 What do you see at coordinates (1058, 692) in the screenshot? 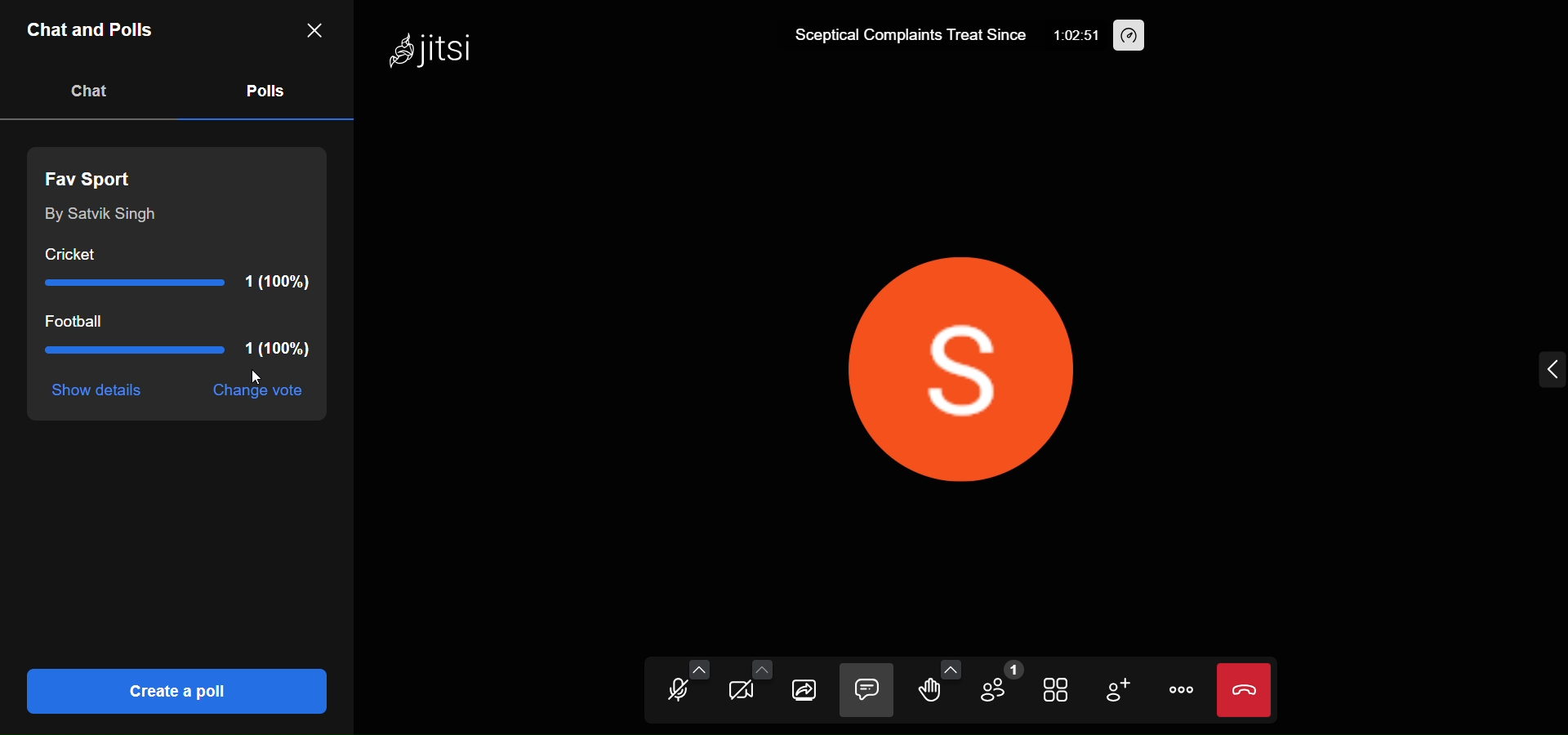
I see `tile view` at bounding box center [1058, 692].